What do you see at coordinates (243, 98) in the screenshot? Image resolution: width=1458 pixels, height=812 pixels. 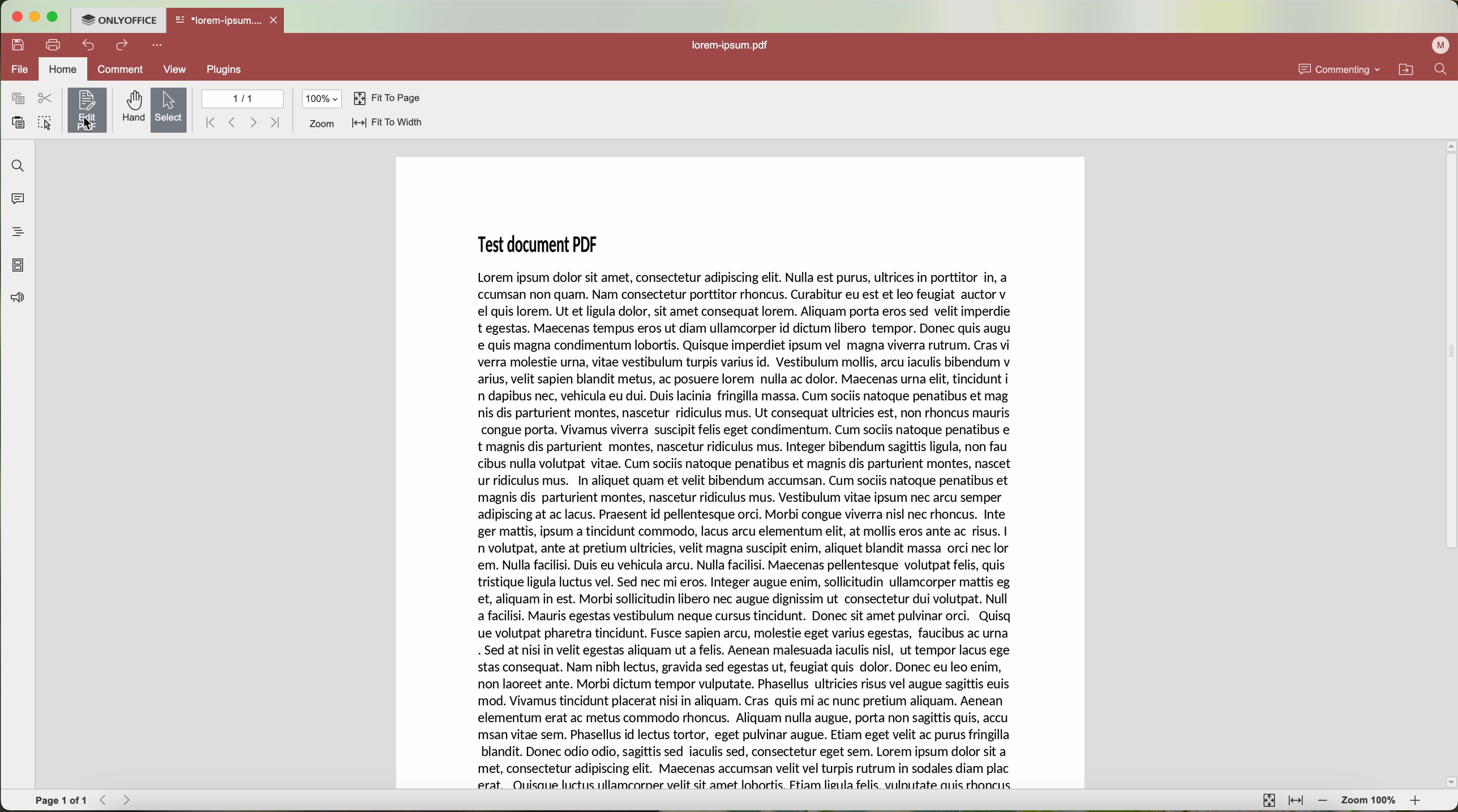 I see `1/1` at bounding box center [243, 98].